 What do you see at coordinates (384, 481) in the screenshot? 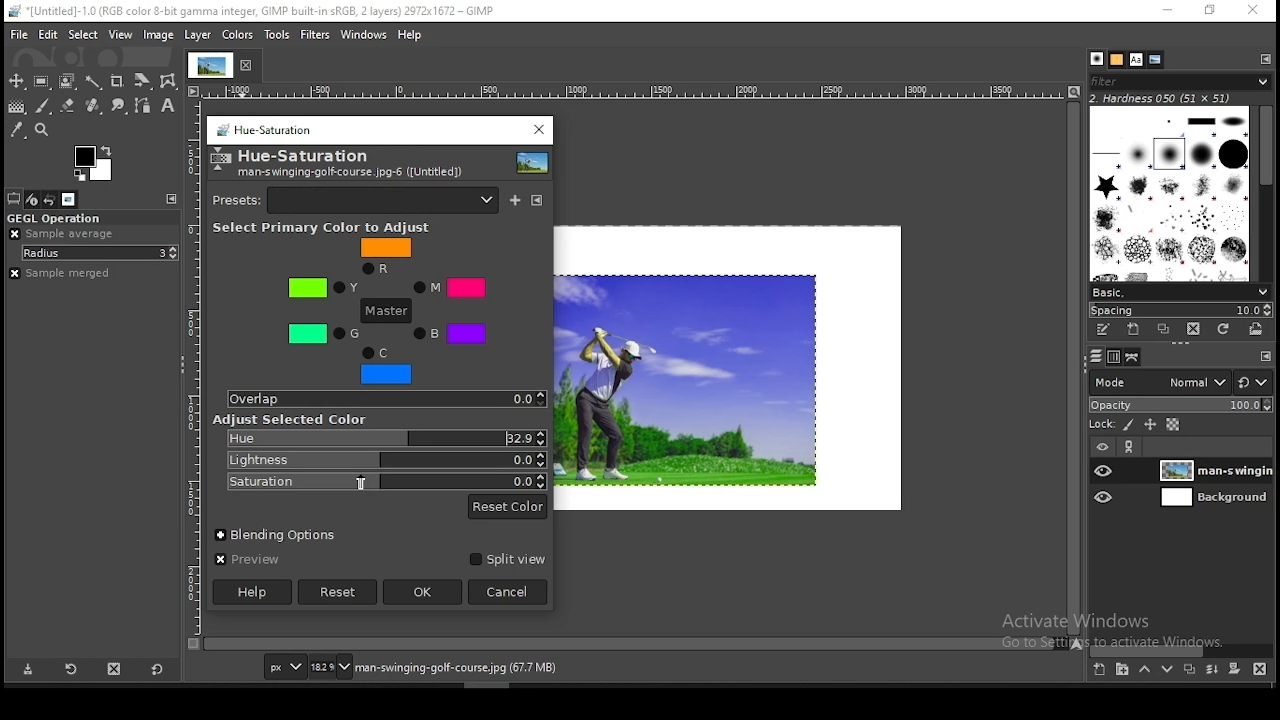
I see `saturation` at bounding box center [384, 481].